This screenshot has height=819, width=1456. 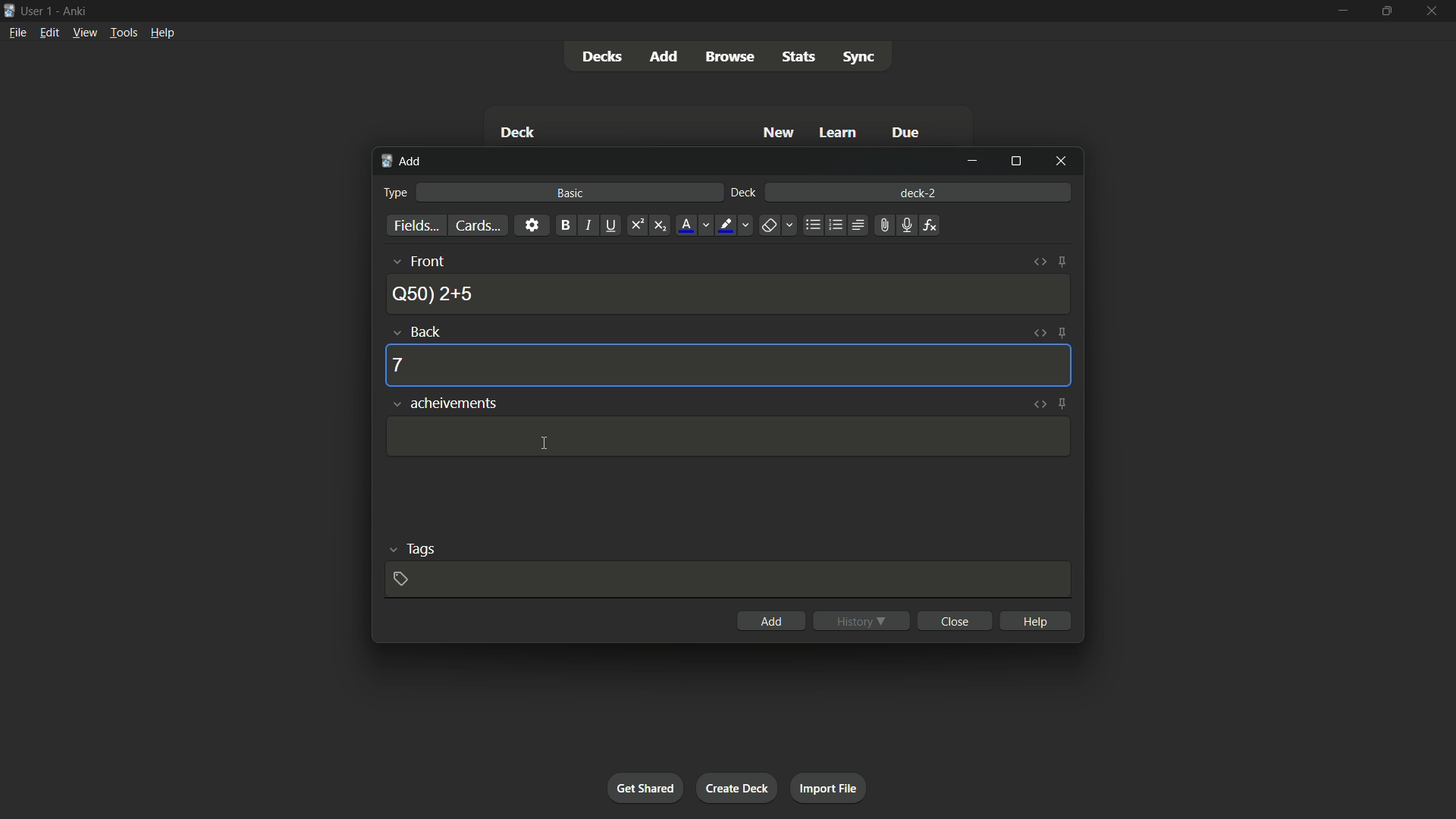 I want to click on toggle sticky, so click(x=1060, y=333).